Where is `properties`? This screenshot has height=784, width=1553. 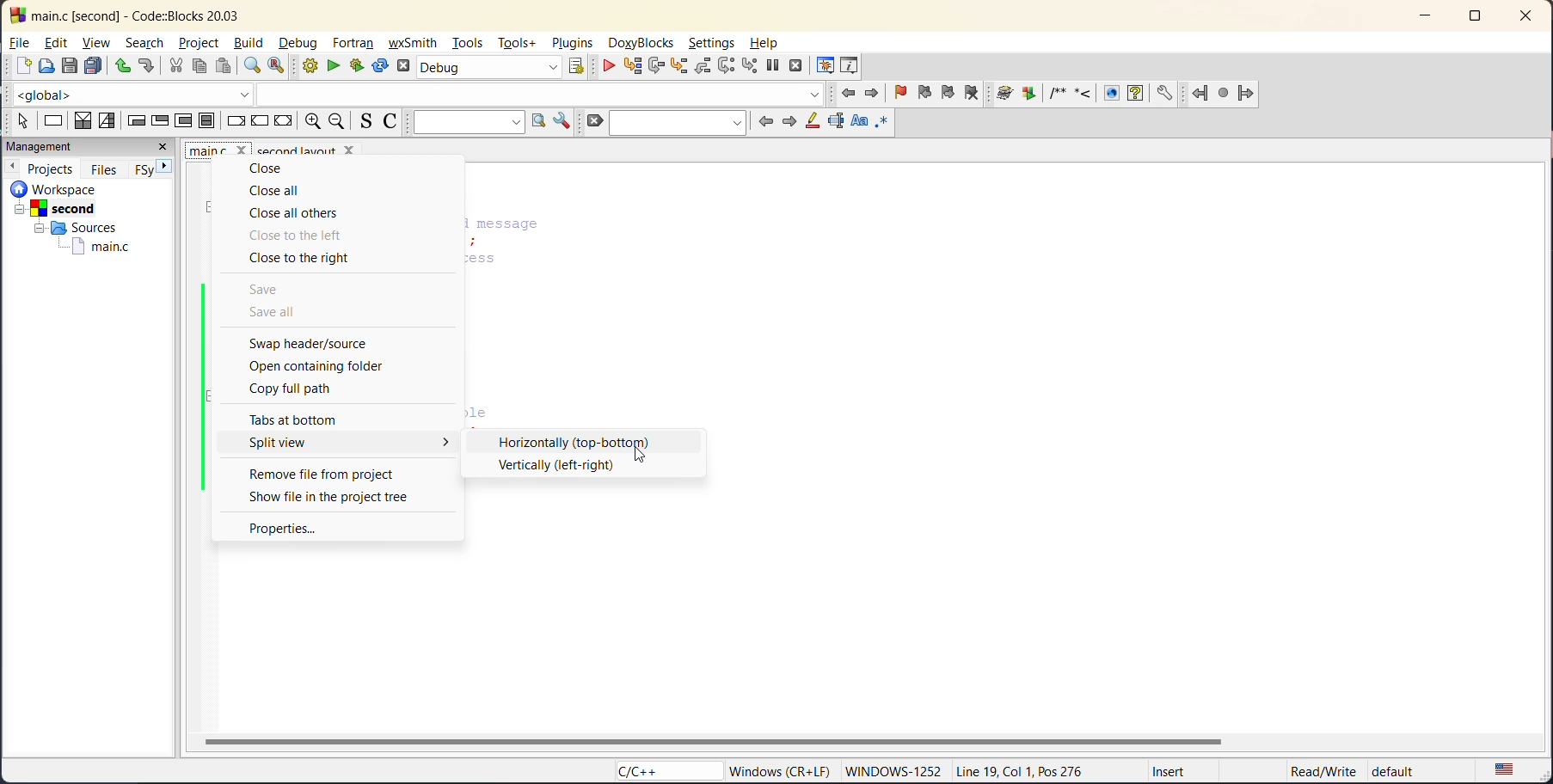 properties is located at coordinates (283, 528).